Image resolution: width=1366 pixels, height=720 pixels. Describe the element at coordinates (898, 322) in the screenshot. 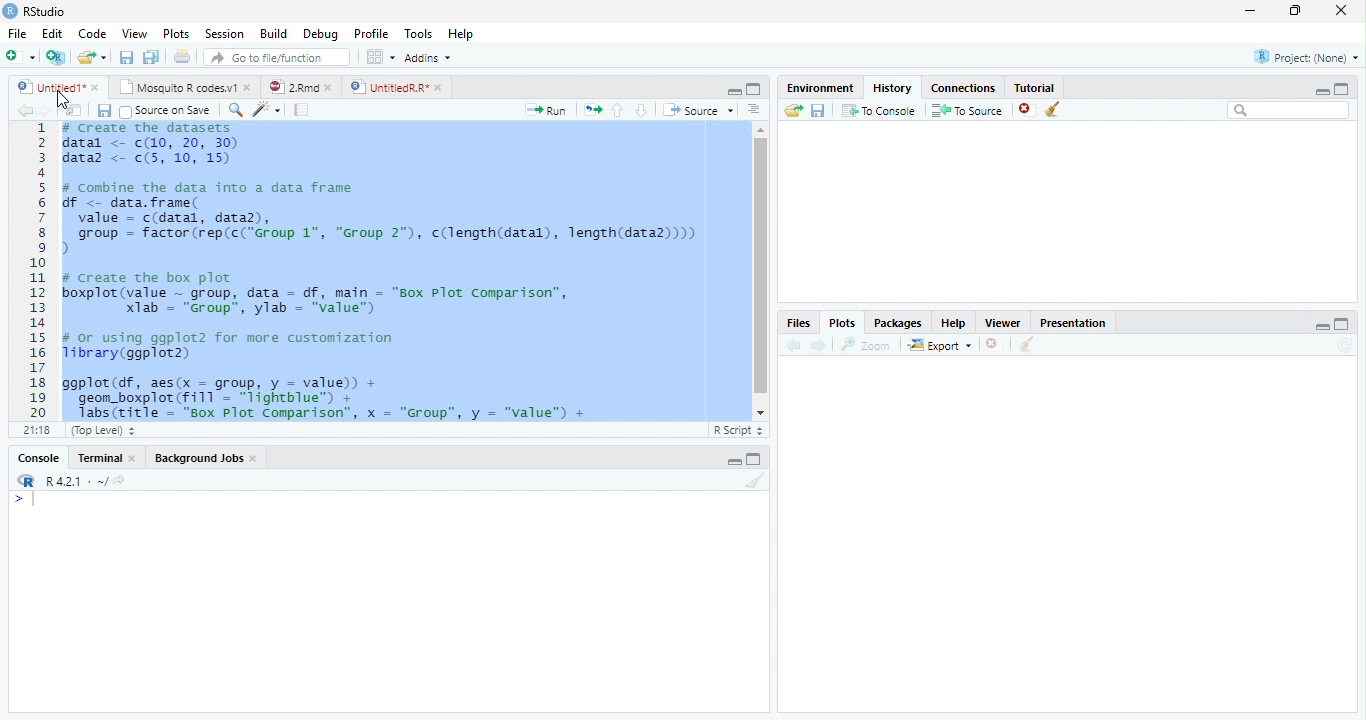

I see `Packages` at that location.